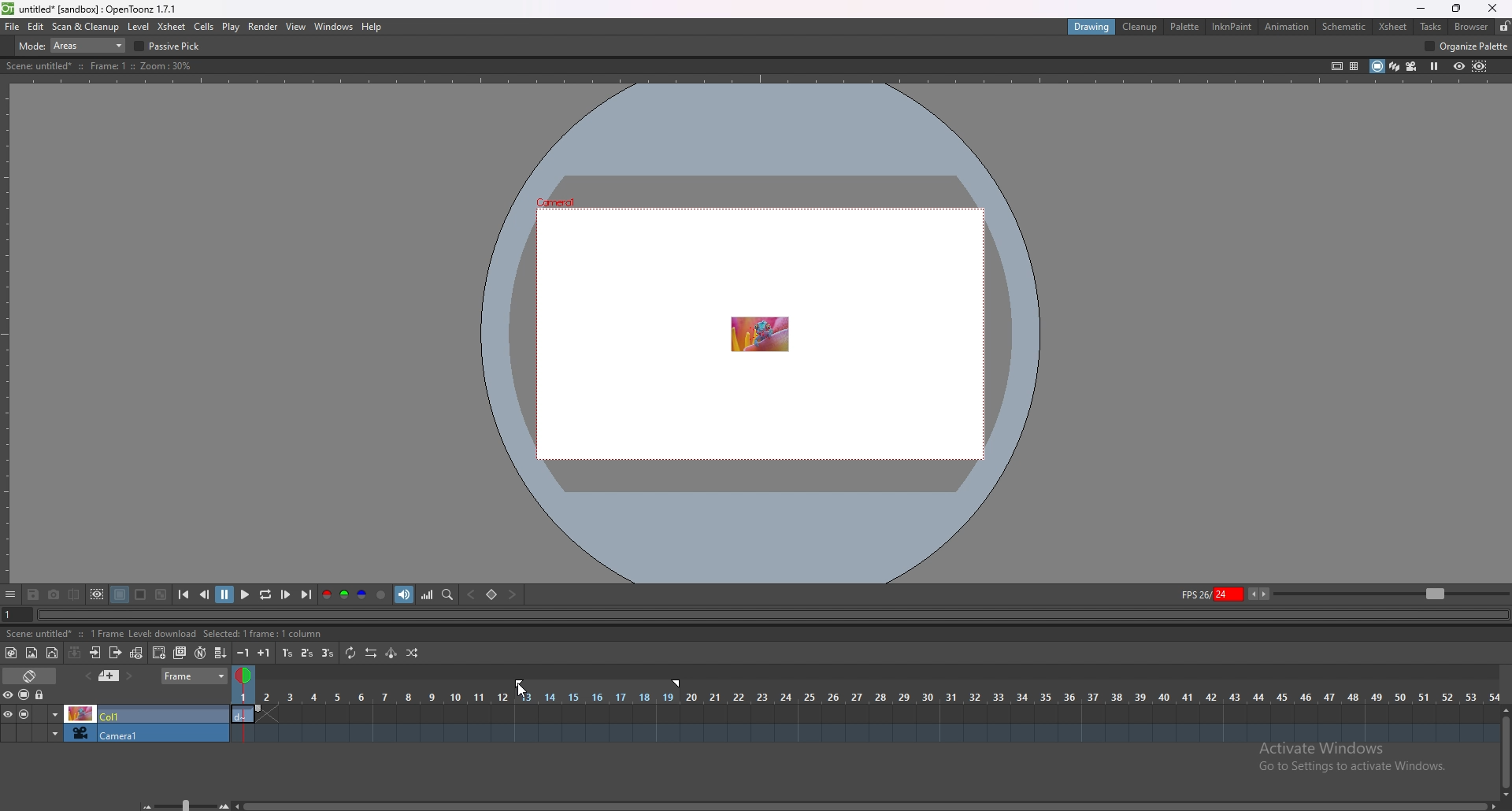 This screenshot has width=1512, height=811. Describe the element at coordinates (1473, 26) in the screenshot. I see `browser` at that location.